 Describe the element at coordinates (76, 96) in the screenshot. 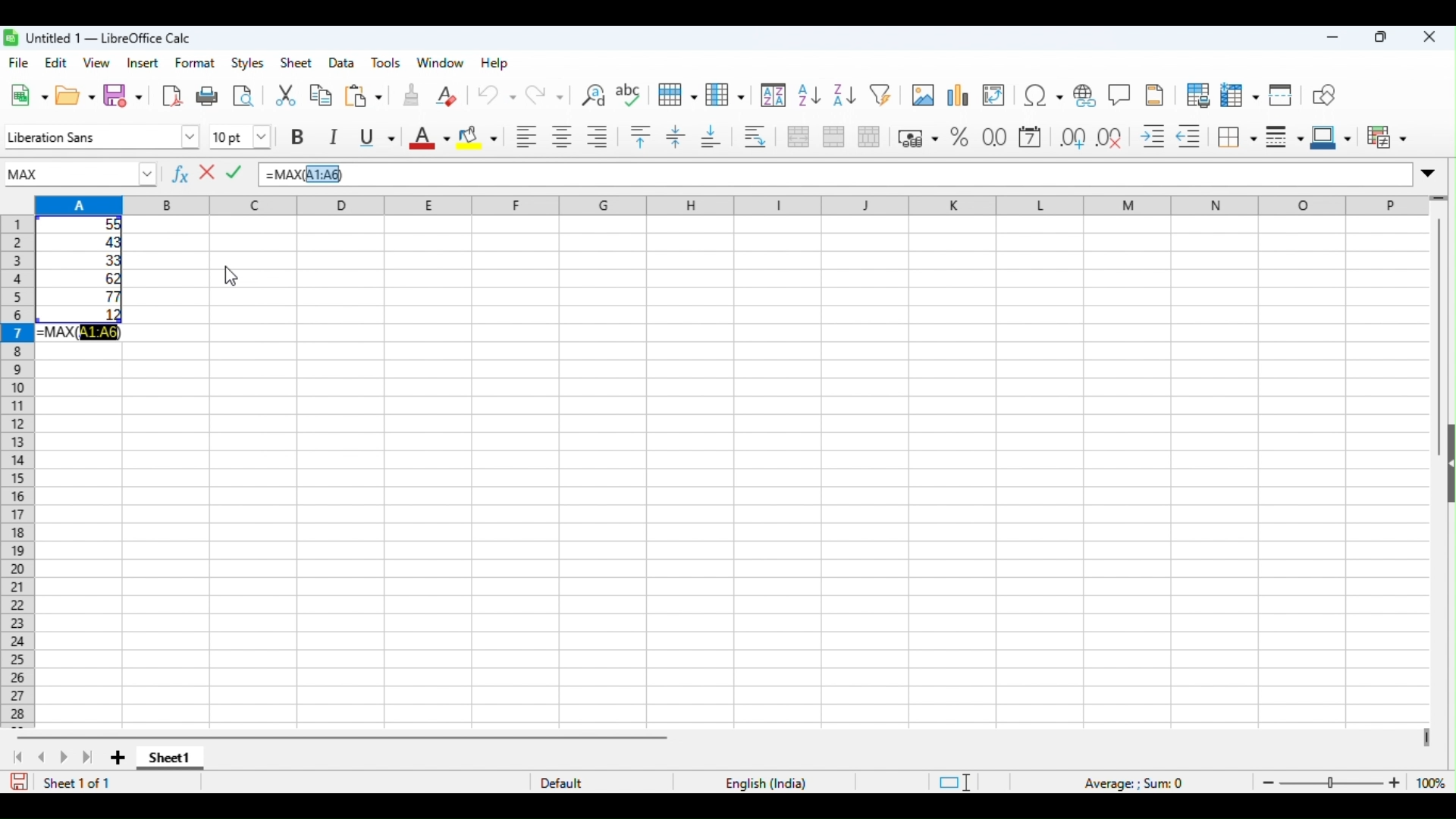

I see `open` at that location.